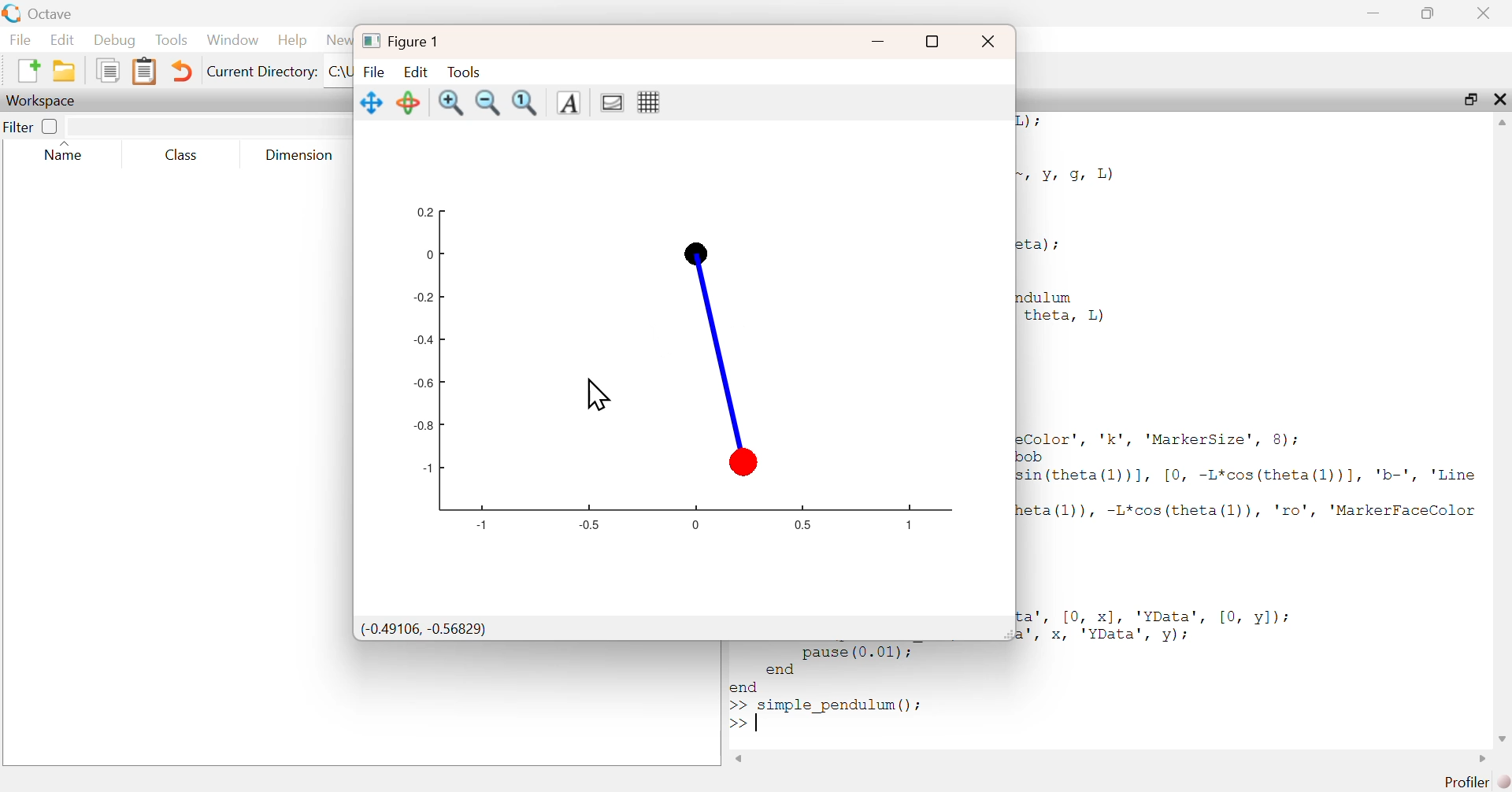  I want to click on Scroll down, so click(1500, 739).